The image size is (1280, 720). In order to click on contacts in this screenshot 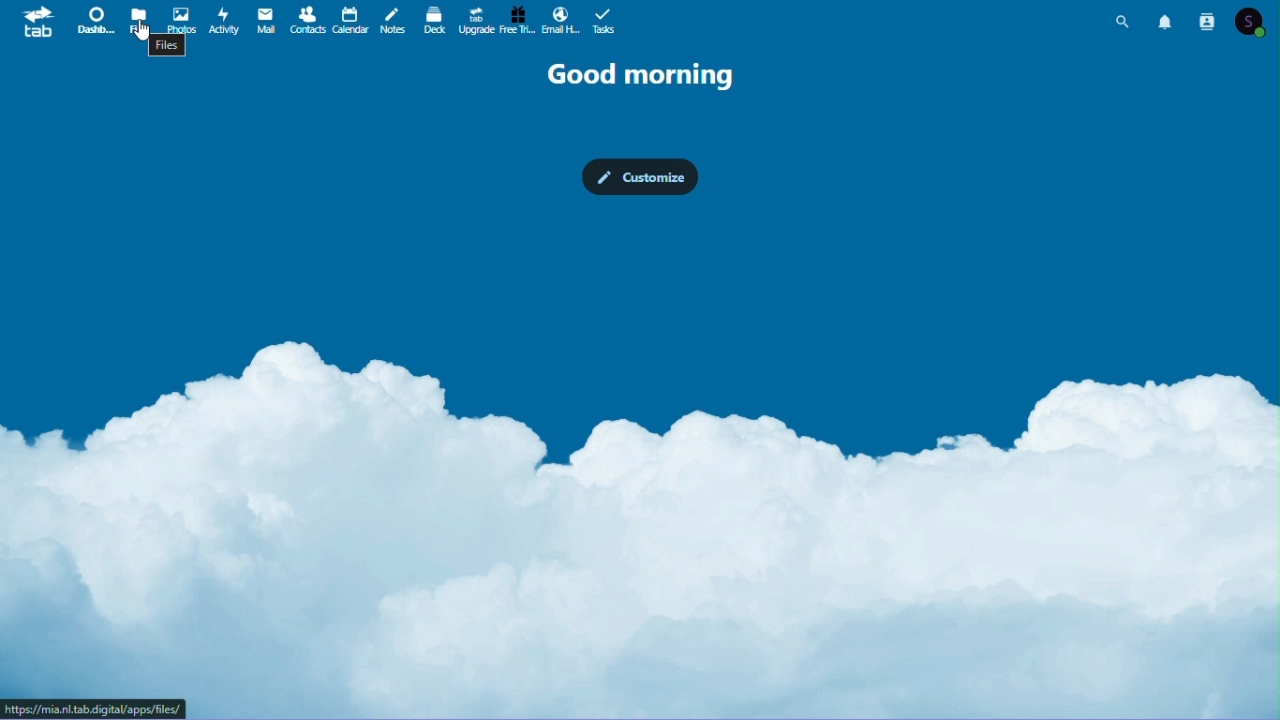, I will do `click(1207, 22)`.